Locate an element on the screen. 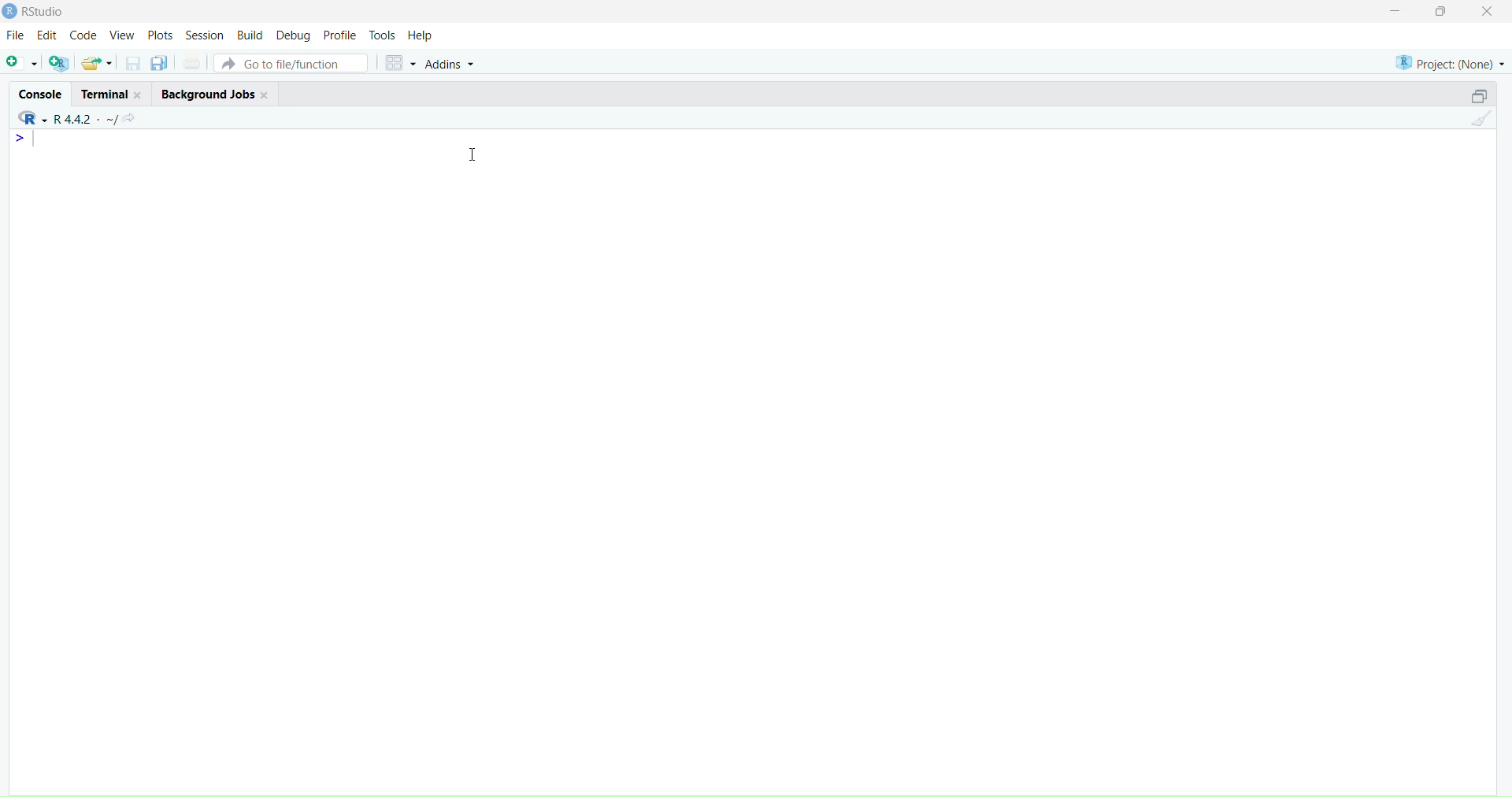 This screenshot has height=797, width=1512. file is located at coordinates (16, 34).